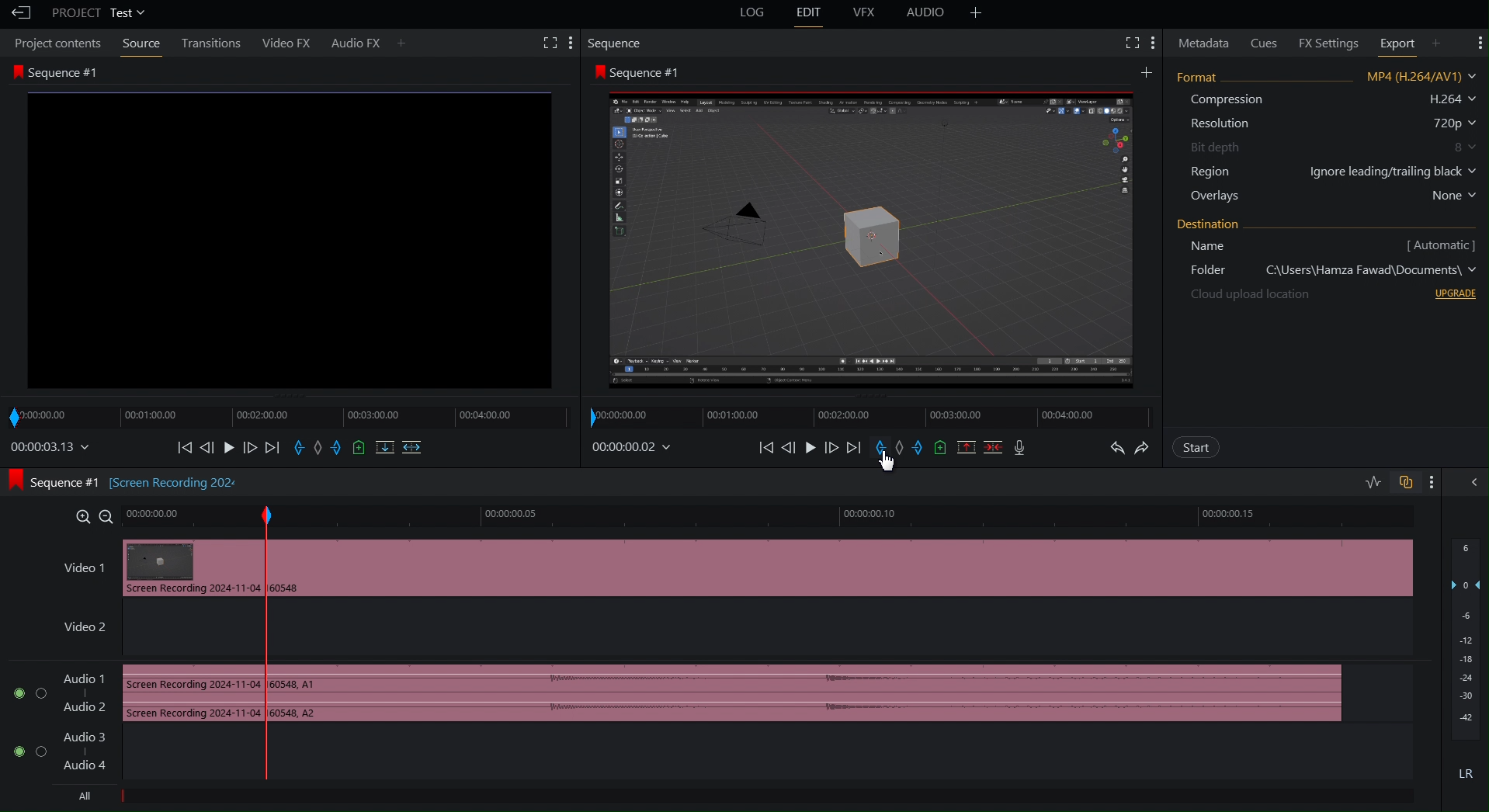  I want to click on Project contents, so click(56, 43).